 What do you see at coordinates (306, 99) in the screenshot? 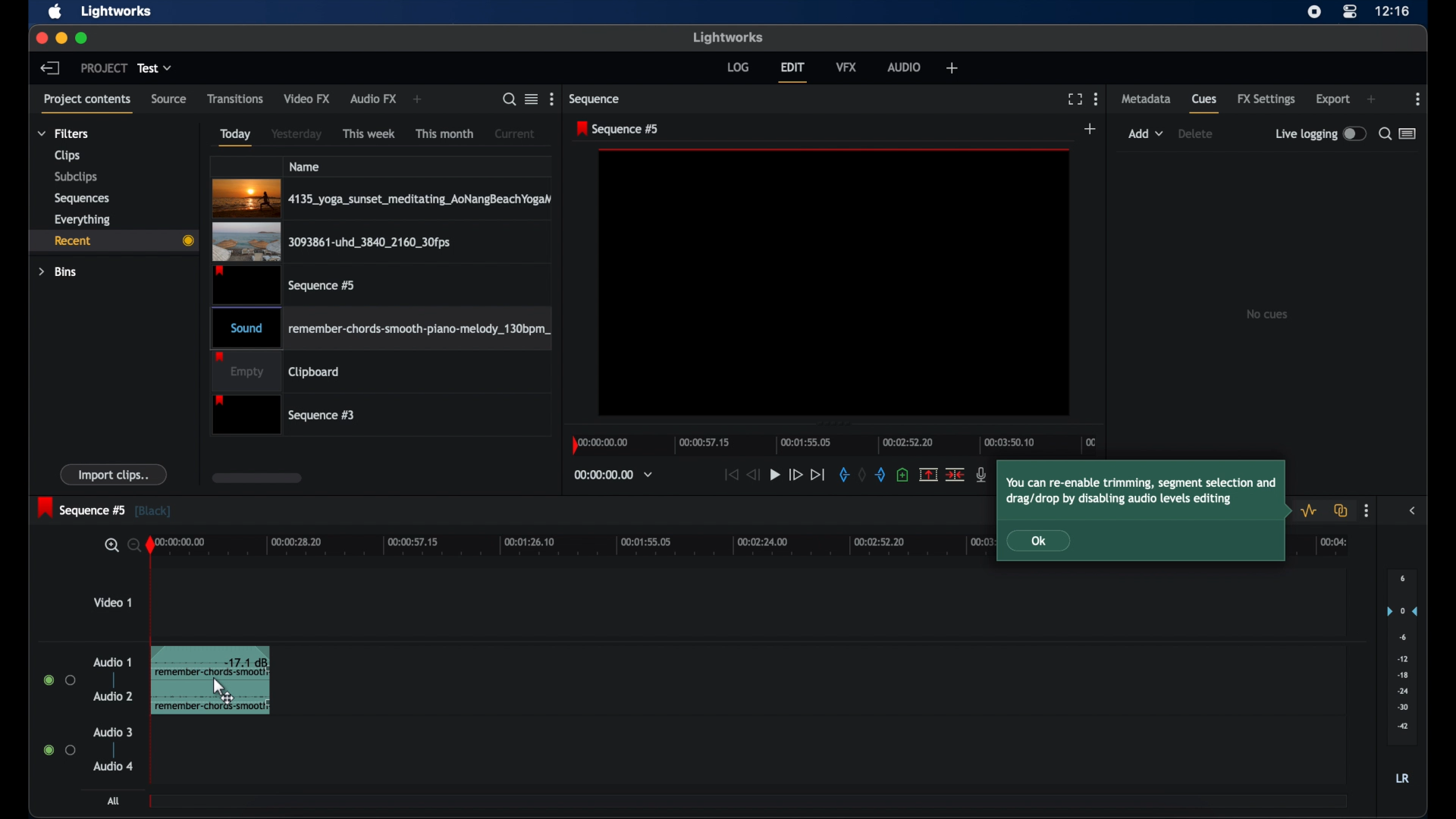
I see `video fx` at bounding box center [306, 99].